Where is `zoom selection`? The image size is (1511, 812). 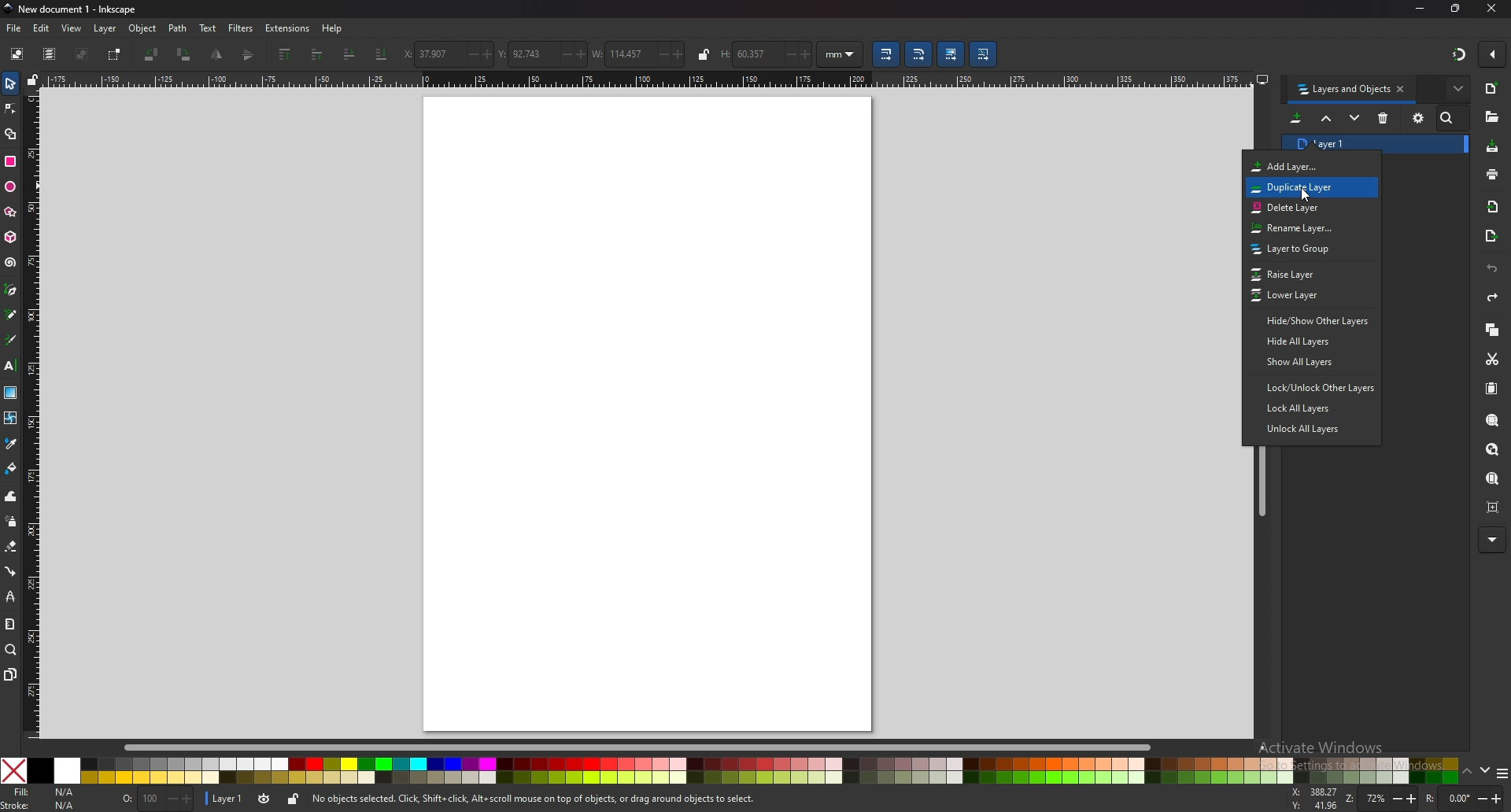
zoom selection is located at coordinates (1494, 419).